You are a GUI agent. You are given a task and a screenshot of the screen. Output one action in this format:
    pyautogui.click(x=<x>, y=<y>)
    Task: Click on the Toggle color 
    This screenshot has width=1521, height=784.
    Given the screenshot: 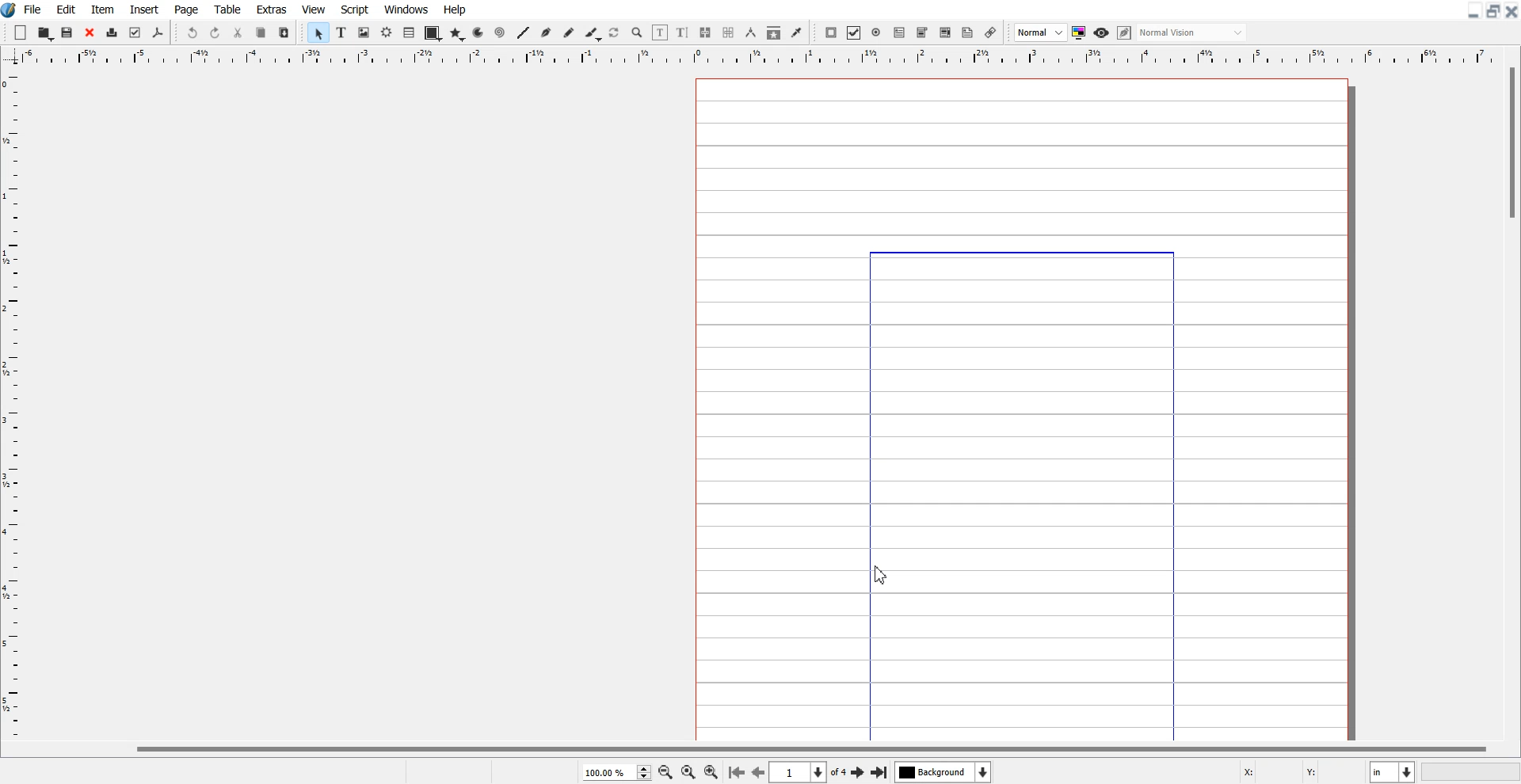 What is the action you would take?
    pyautogui.click(x=1081, y=33)
    